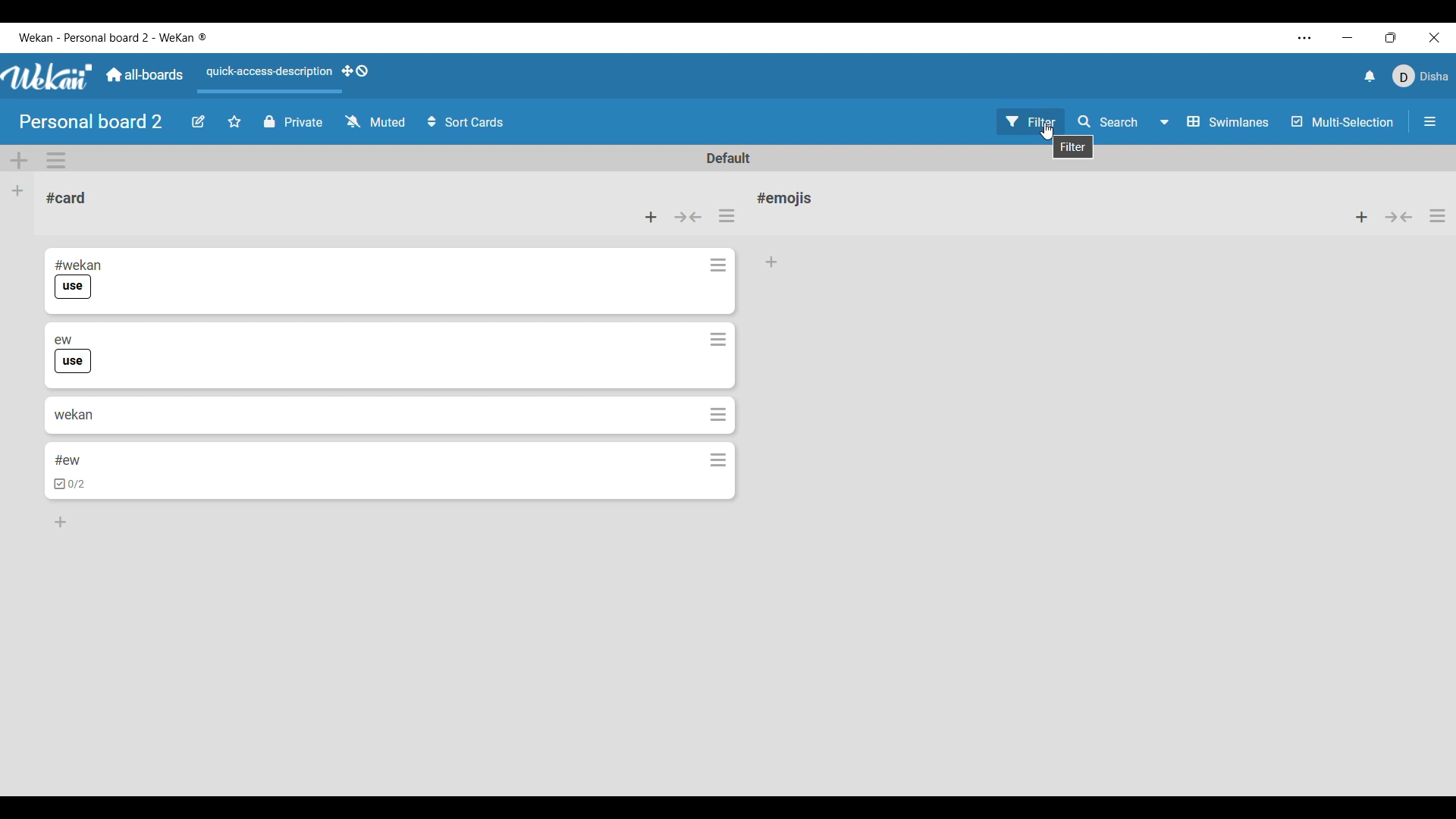  I want to click on List actions, so click(1437, 216).